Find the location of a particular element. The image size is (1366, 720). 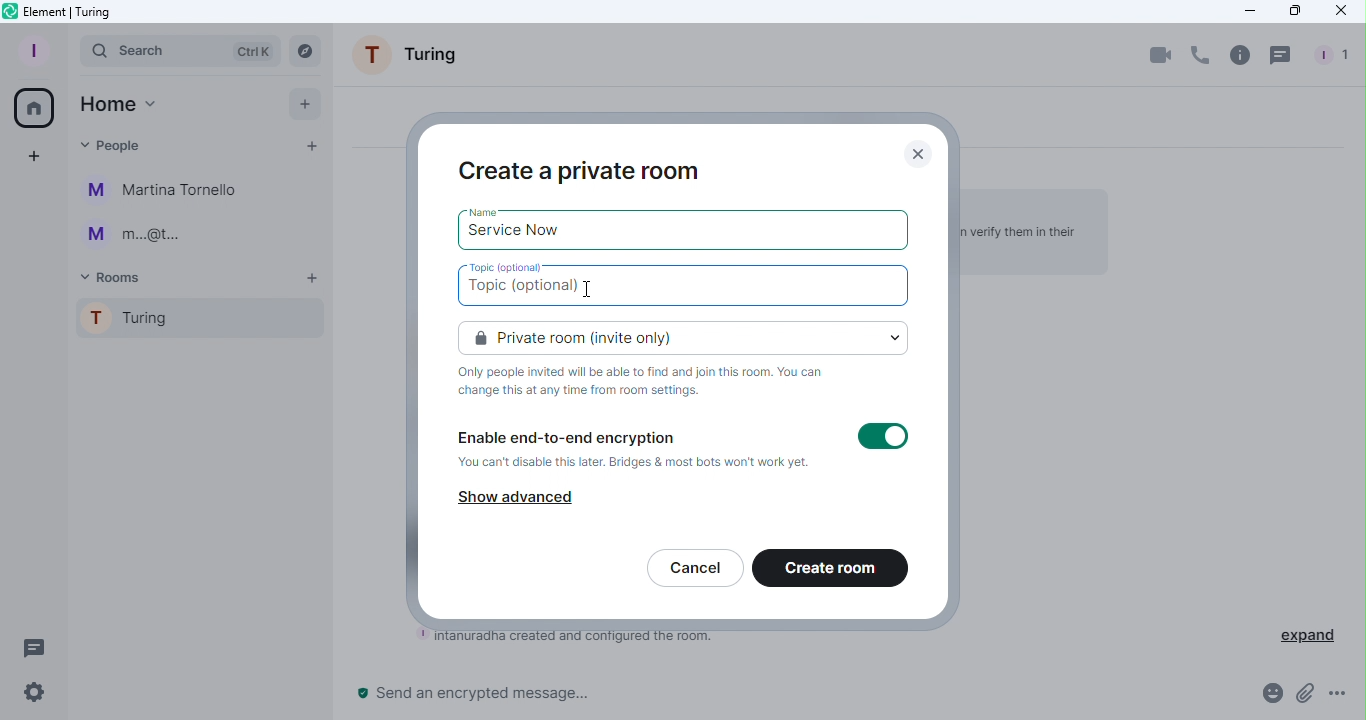

m...@t.. is located at coordinates (130, 235).